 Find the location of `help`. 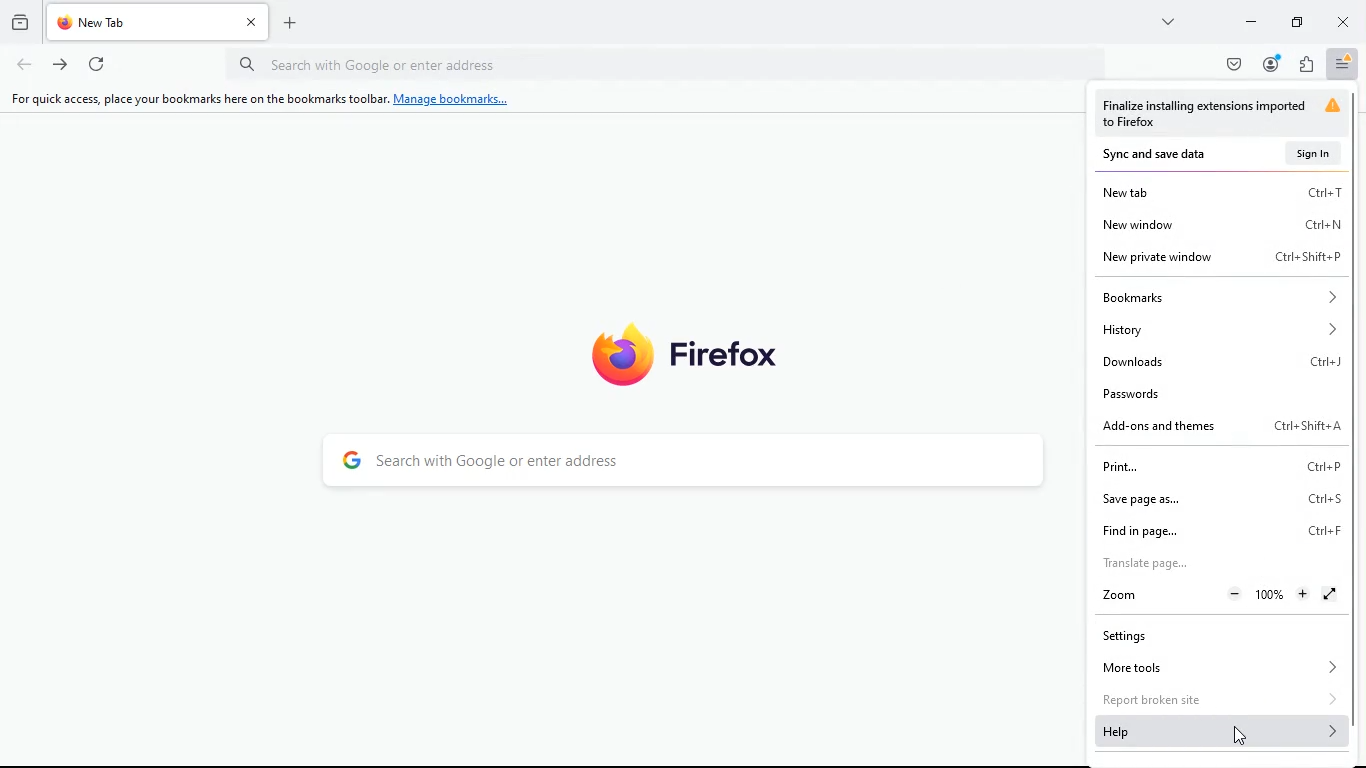

help is located at coordinates (1218, 733).